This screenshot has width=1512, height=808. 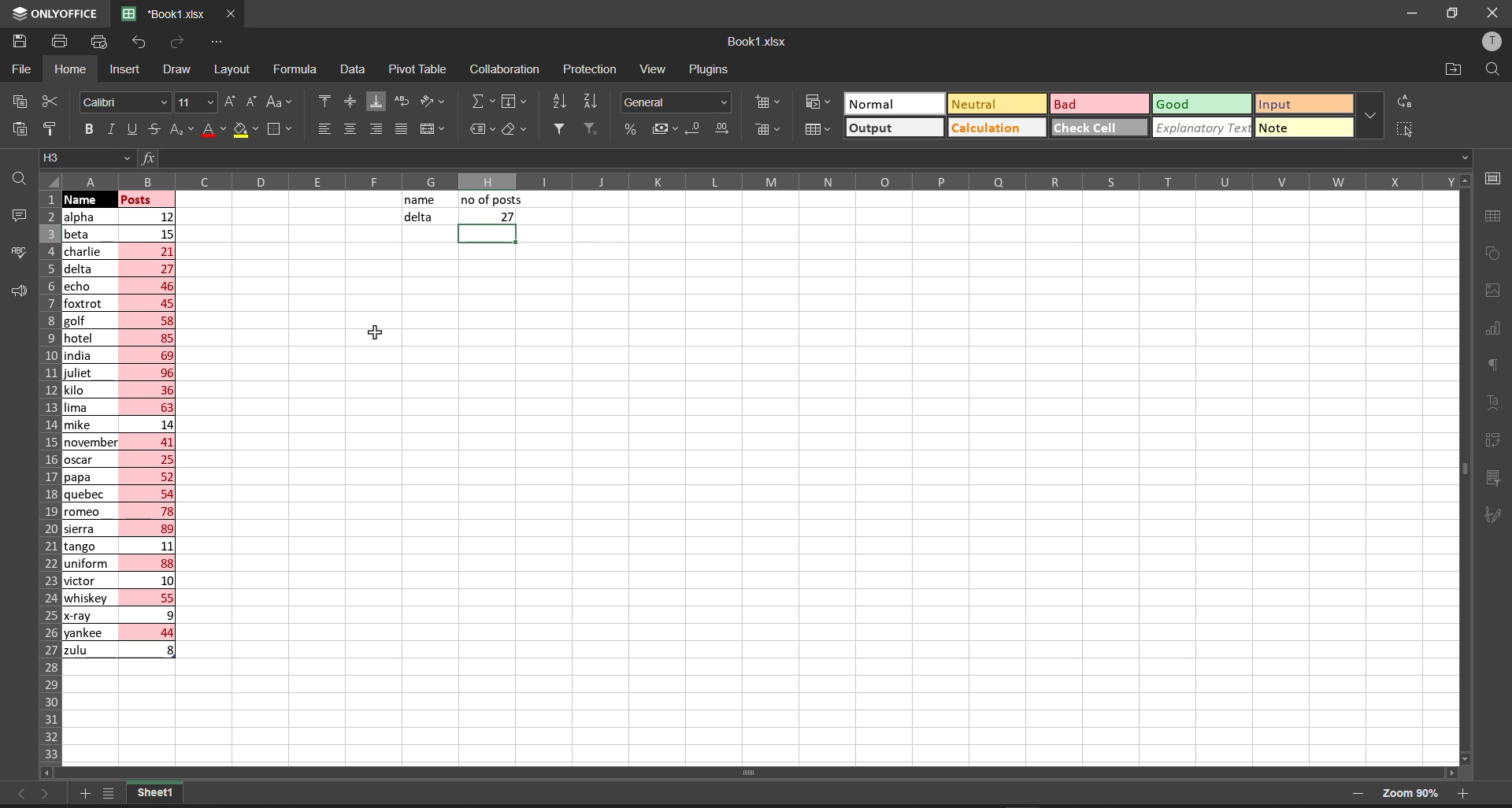 What do you see at coordinates (881, 103) in the screenshot?
I see `Normal` at bounding box center [881, 103].